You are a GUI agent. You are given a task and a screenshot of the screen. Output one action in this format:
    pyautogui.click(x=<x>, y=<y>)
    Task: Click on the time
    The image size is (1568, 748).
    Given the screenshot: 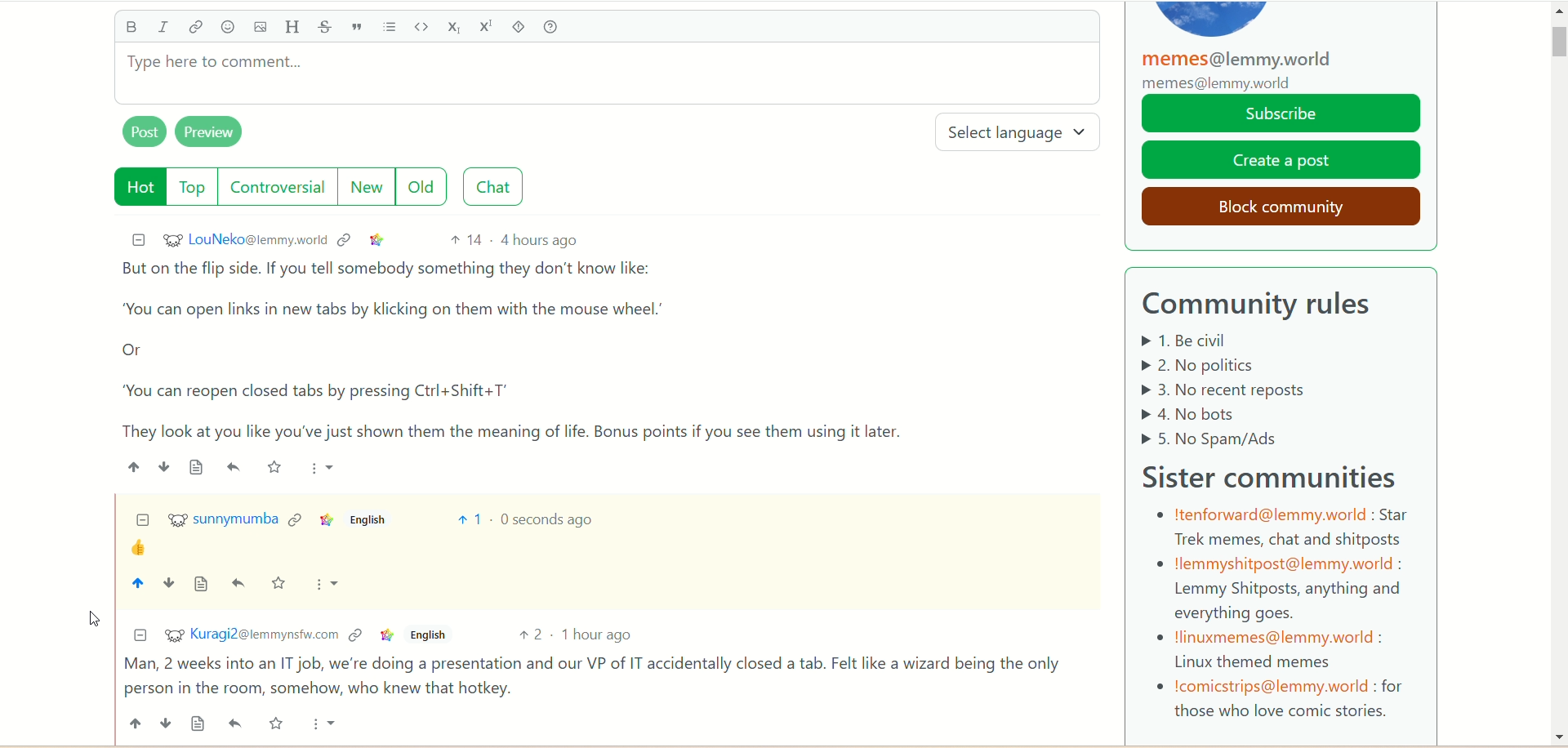 What is the action you would take?
    pyautogui.click(x=531, y=516)
    